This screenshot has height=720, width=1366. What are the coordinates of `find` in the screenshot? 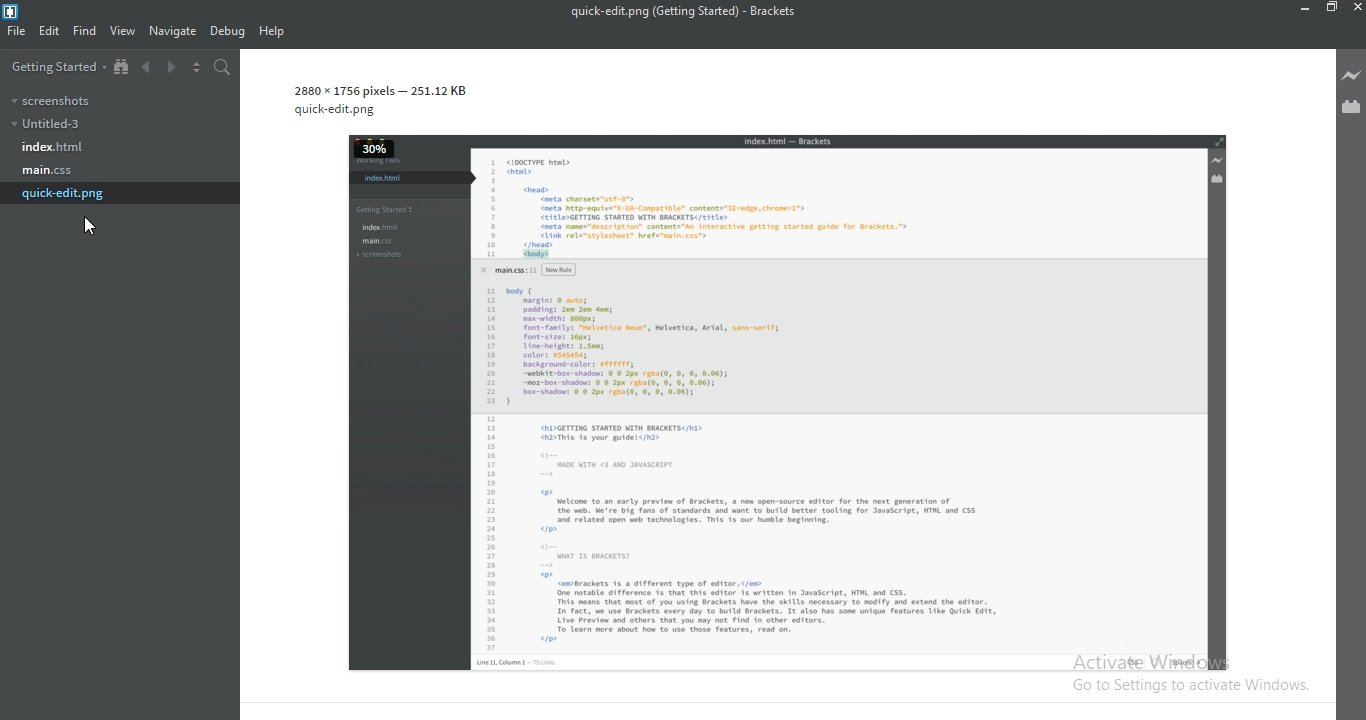 It's located at (83, 31).